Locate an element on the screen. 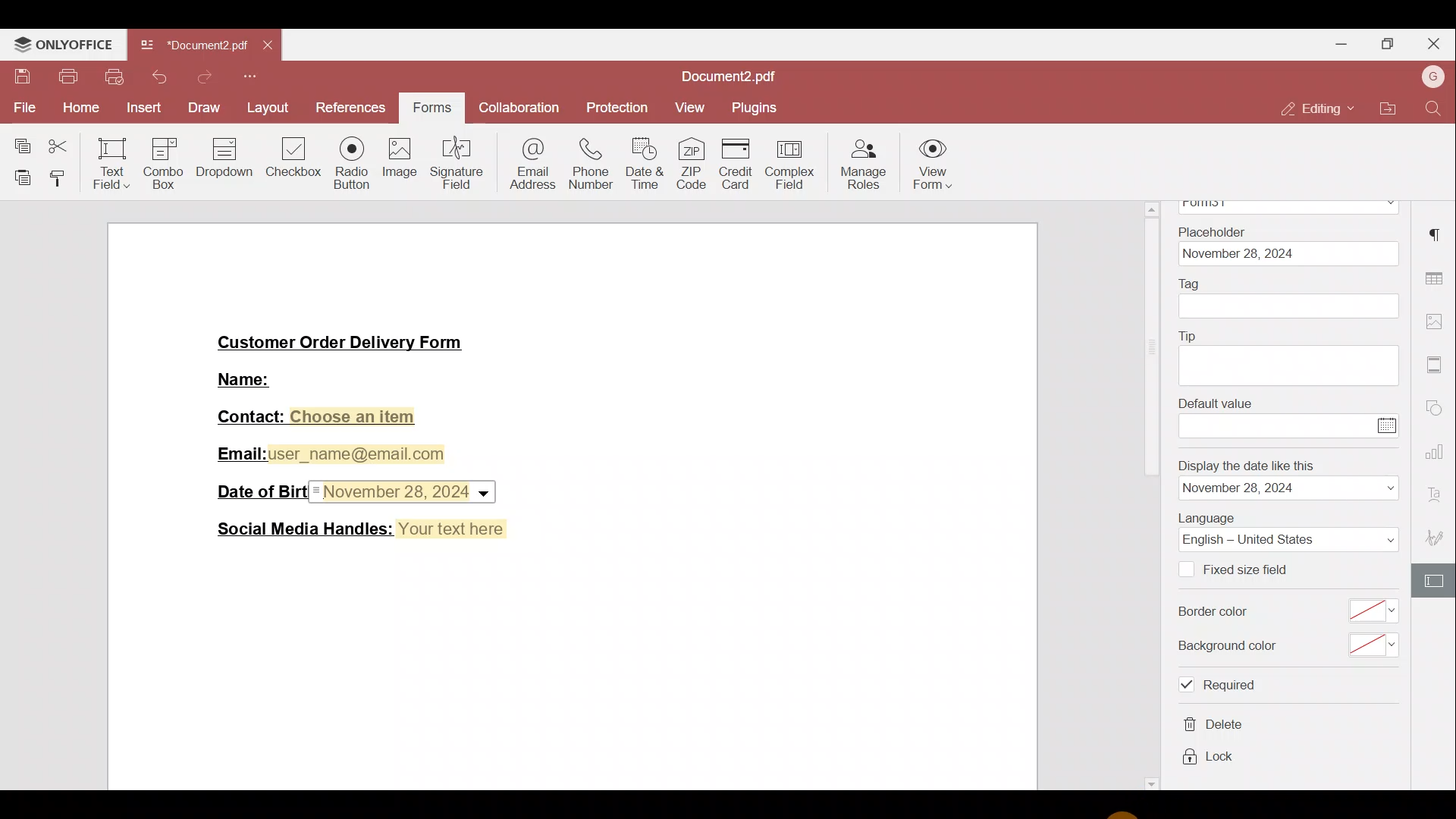 The image size is (1456, 819). Forms is located at coordinates (430, 109).